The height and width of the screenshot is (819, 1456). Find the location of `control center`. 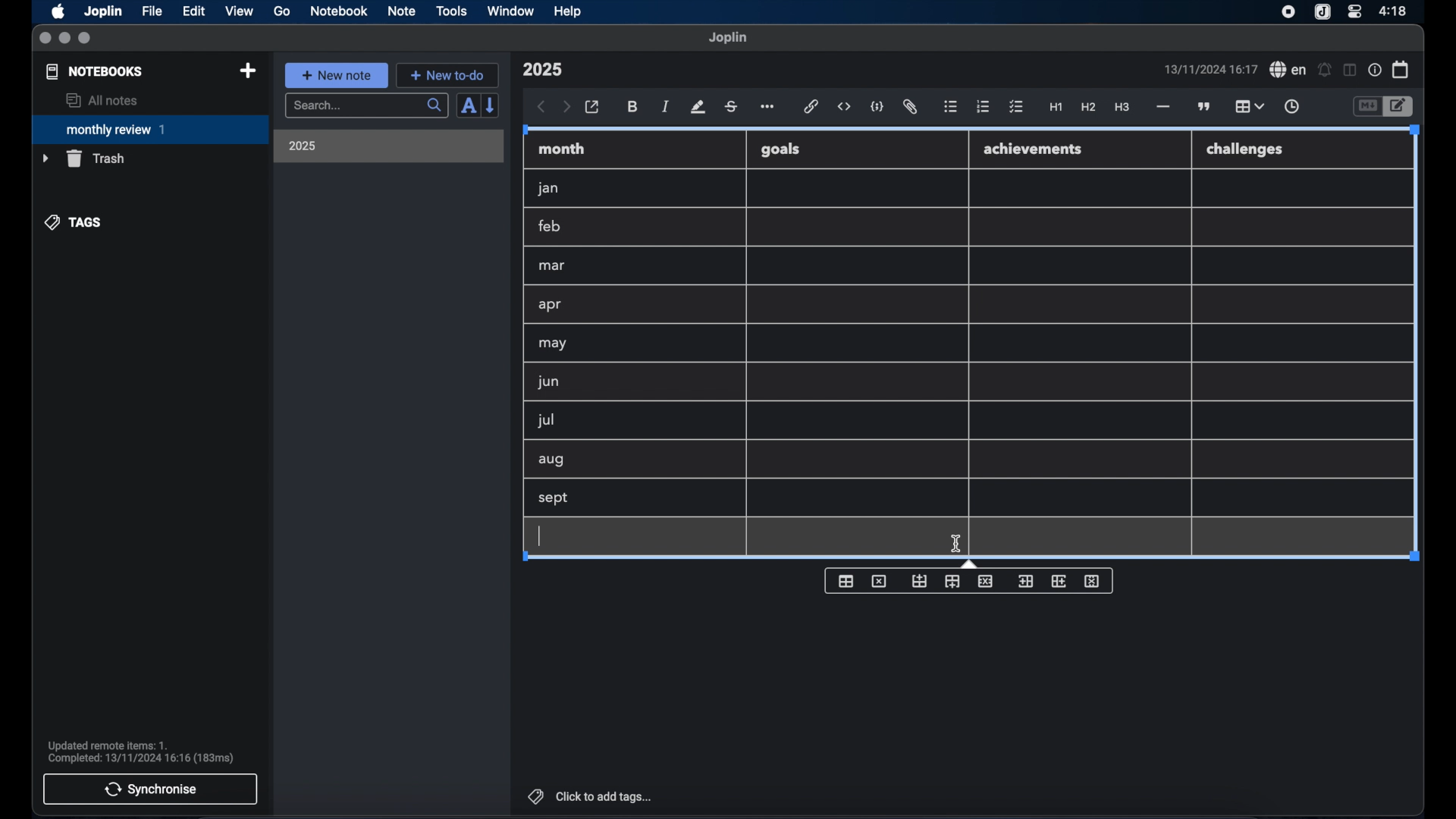

control center is located at coordinates (1354, 11).